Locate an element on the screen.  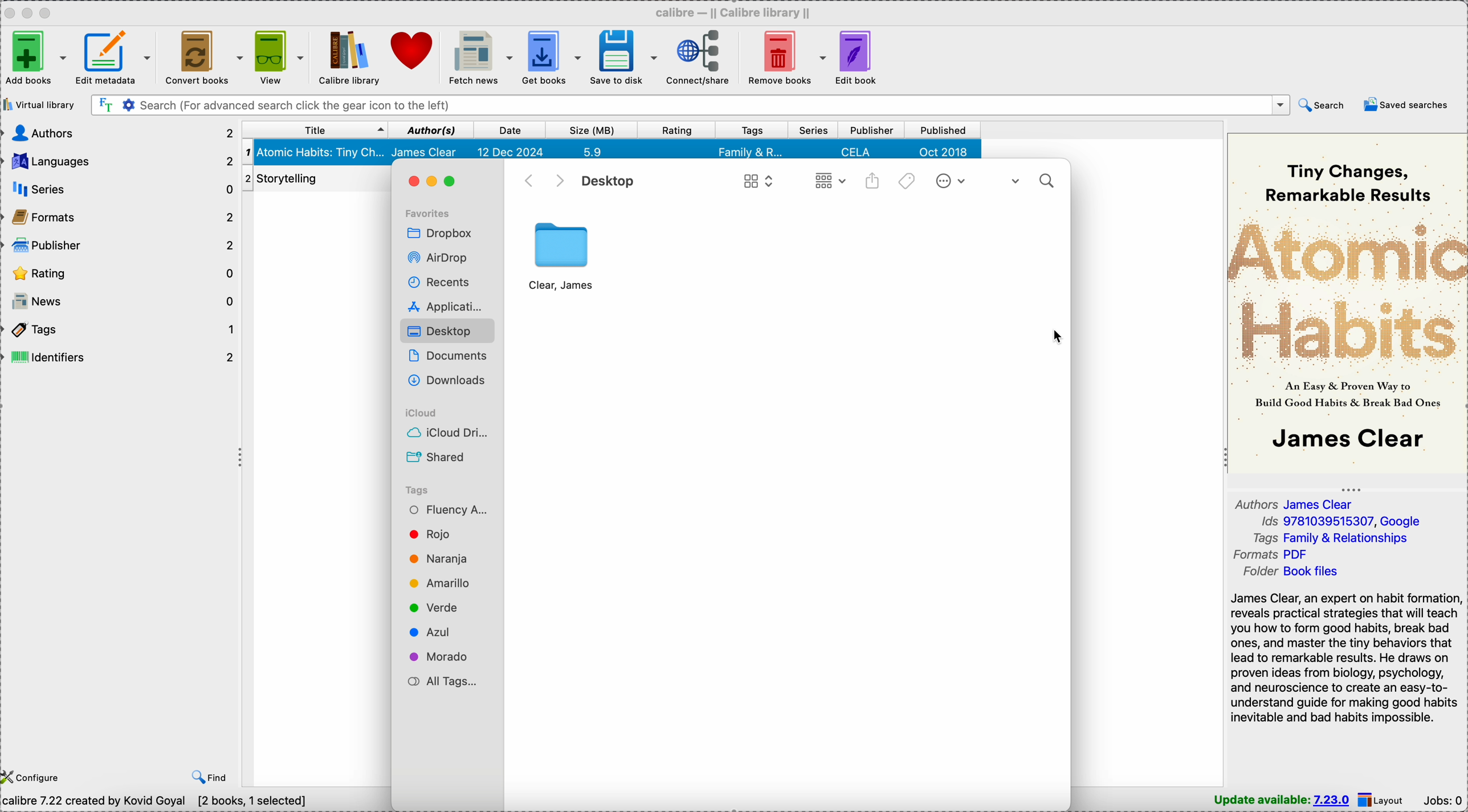
search is located at coordinates (1320, 105).